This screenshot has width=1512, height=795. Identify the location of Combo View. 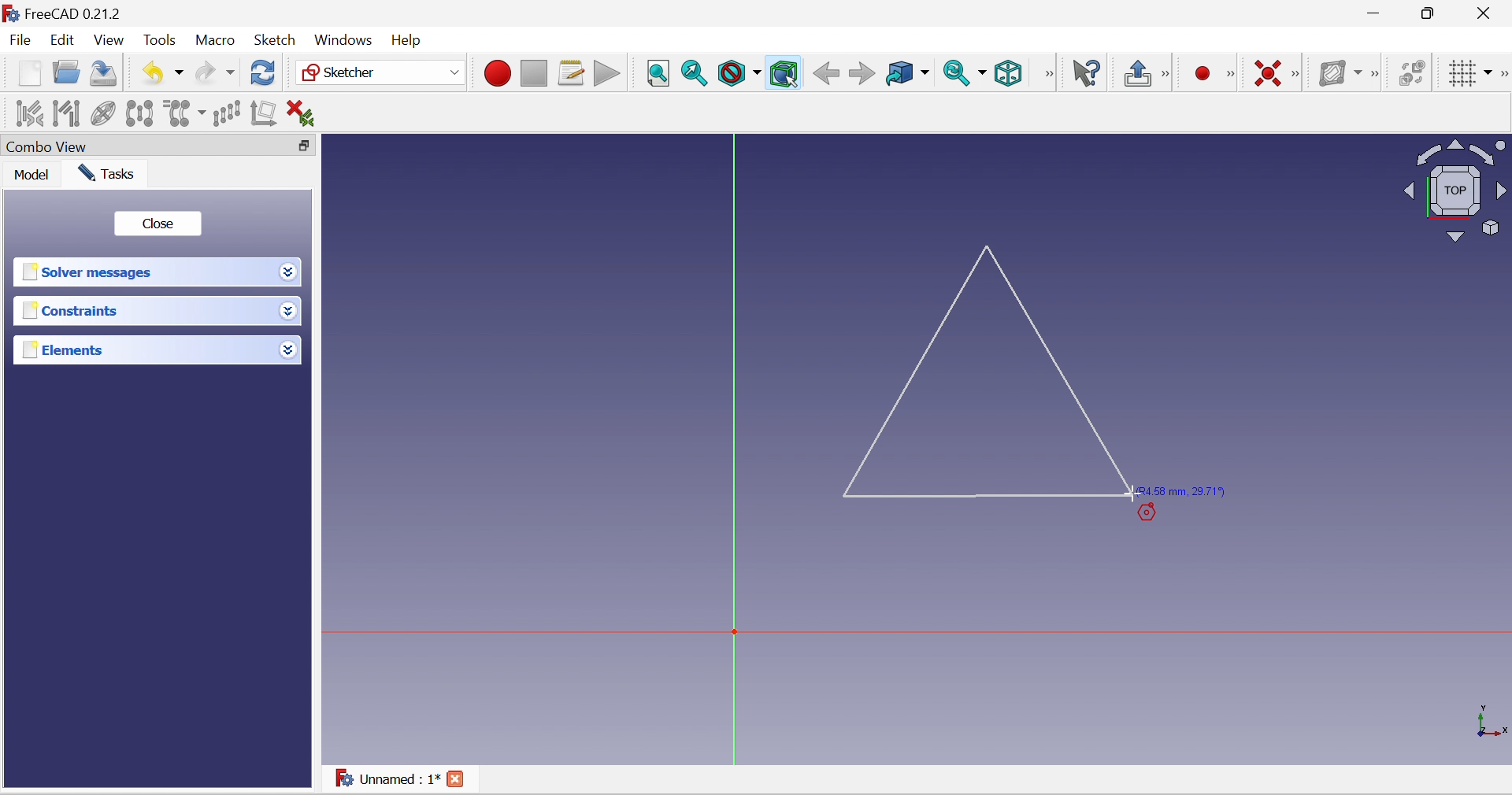
(141, 146).